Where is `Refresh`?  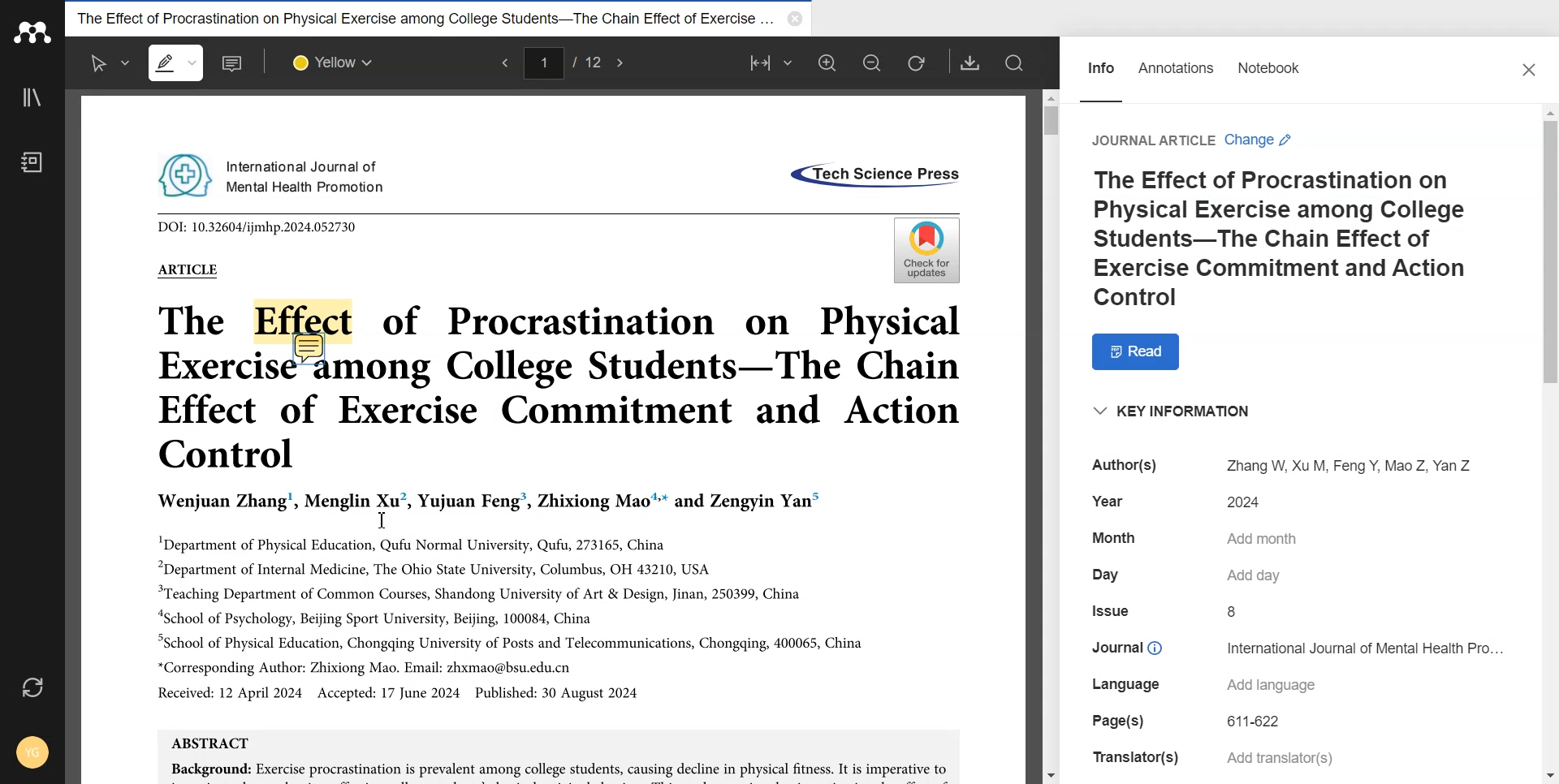 Refresh is located at coordinates (916, 62).